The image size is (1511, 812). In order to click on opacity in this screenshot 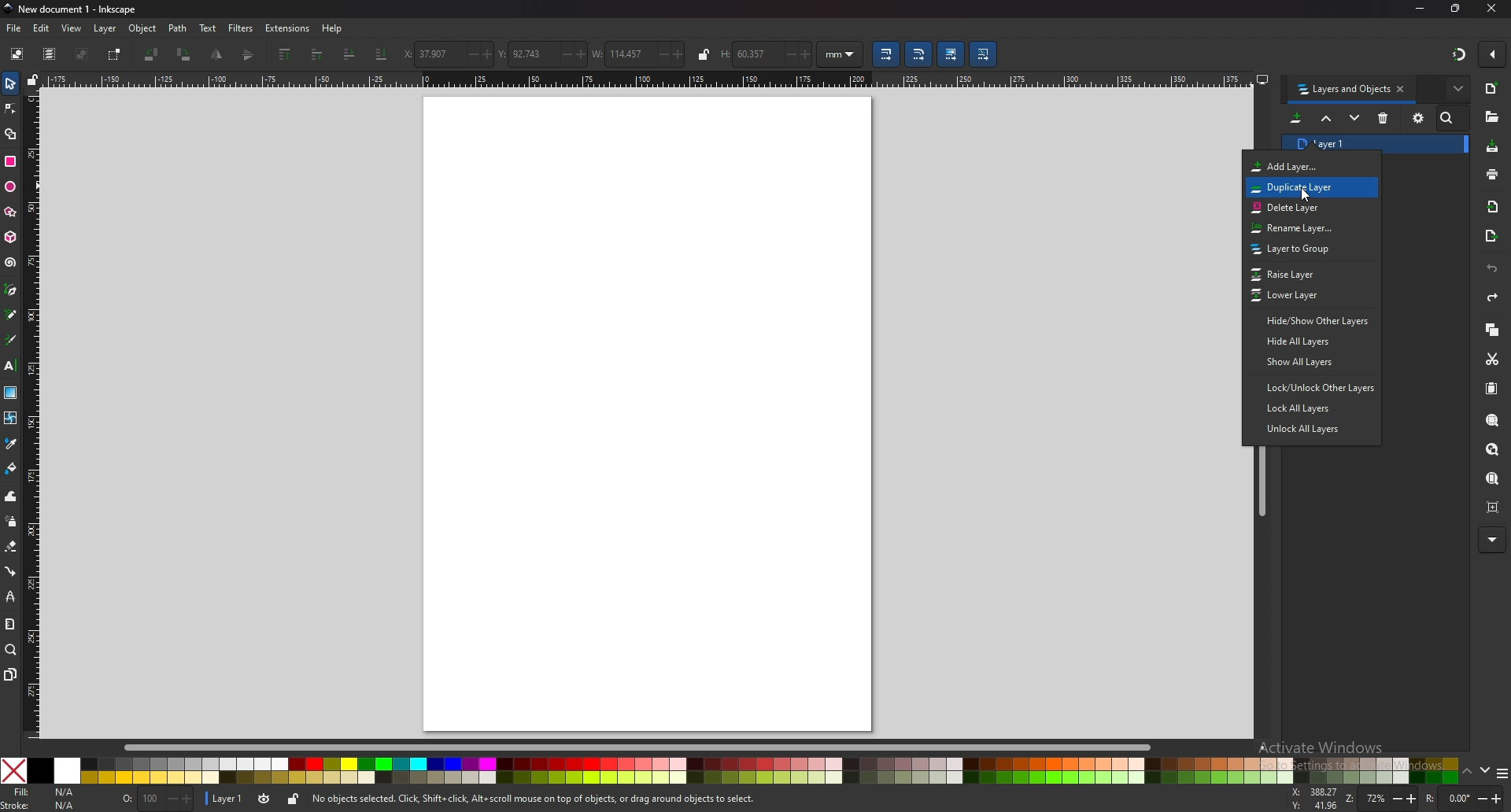, I will do `click(157, 797)`.